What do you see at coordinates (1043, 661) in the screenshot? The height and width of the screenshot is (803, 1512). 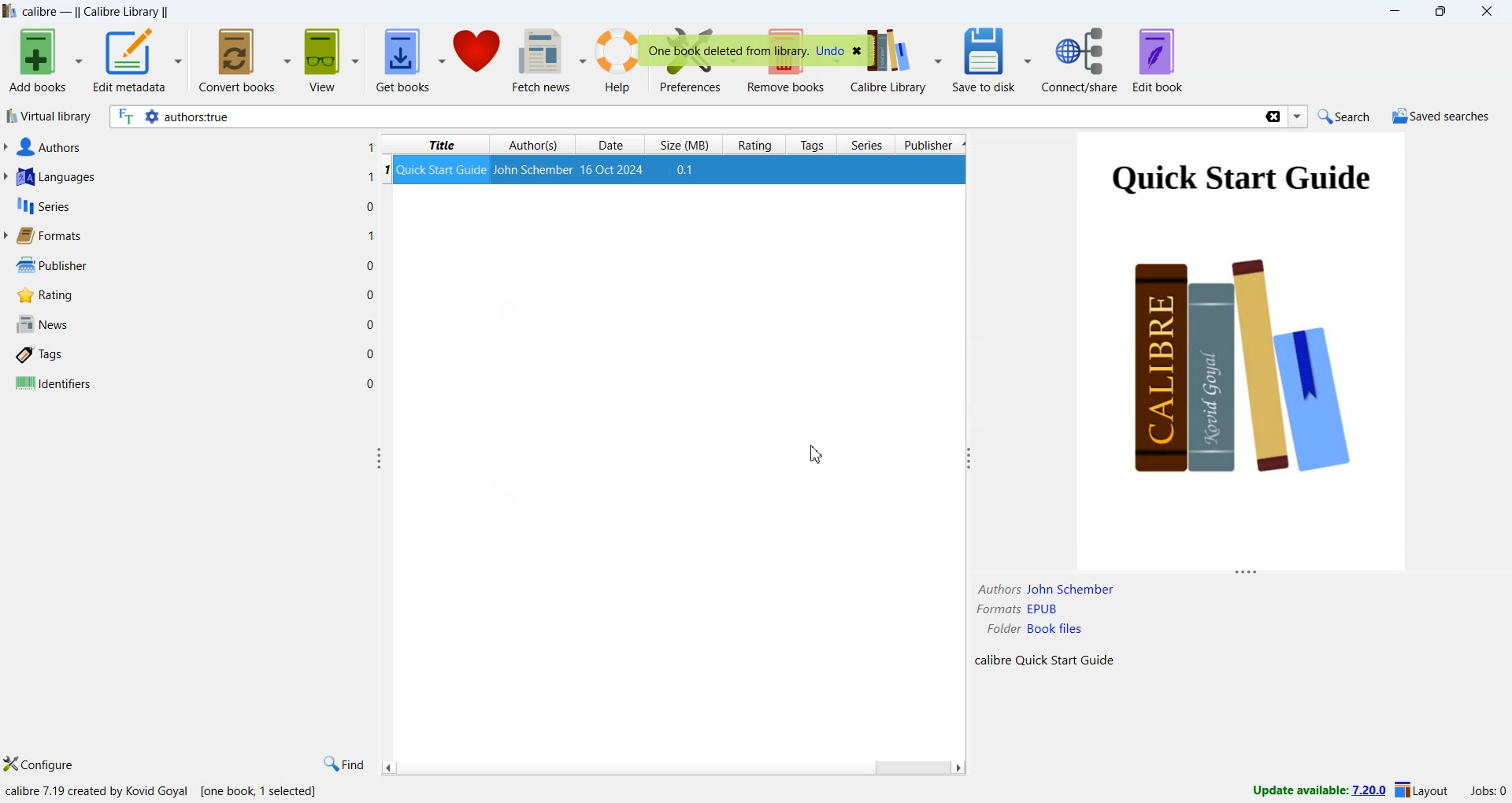 I see `calibre quick start guide` at bounding box center [1043, 661].